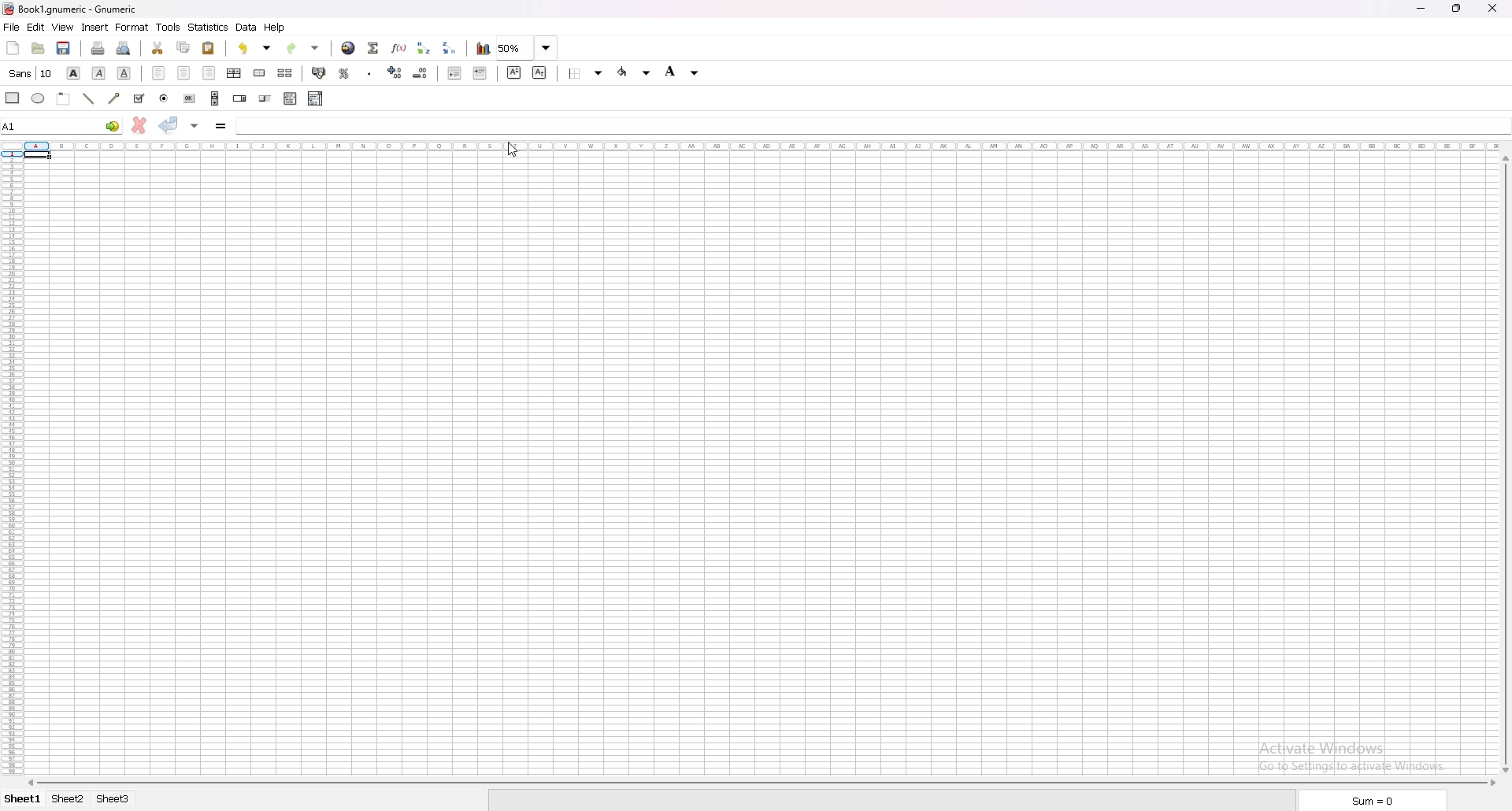 Image resolution: width=1512 pixels, height=811 pixels. I want to click on button, so click(189, 98).